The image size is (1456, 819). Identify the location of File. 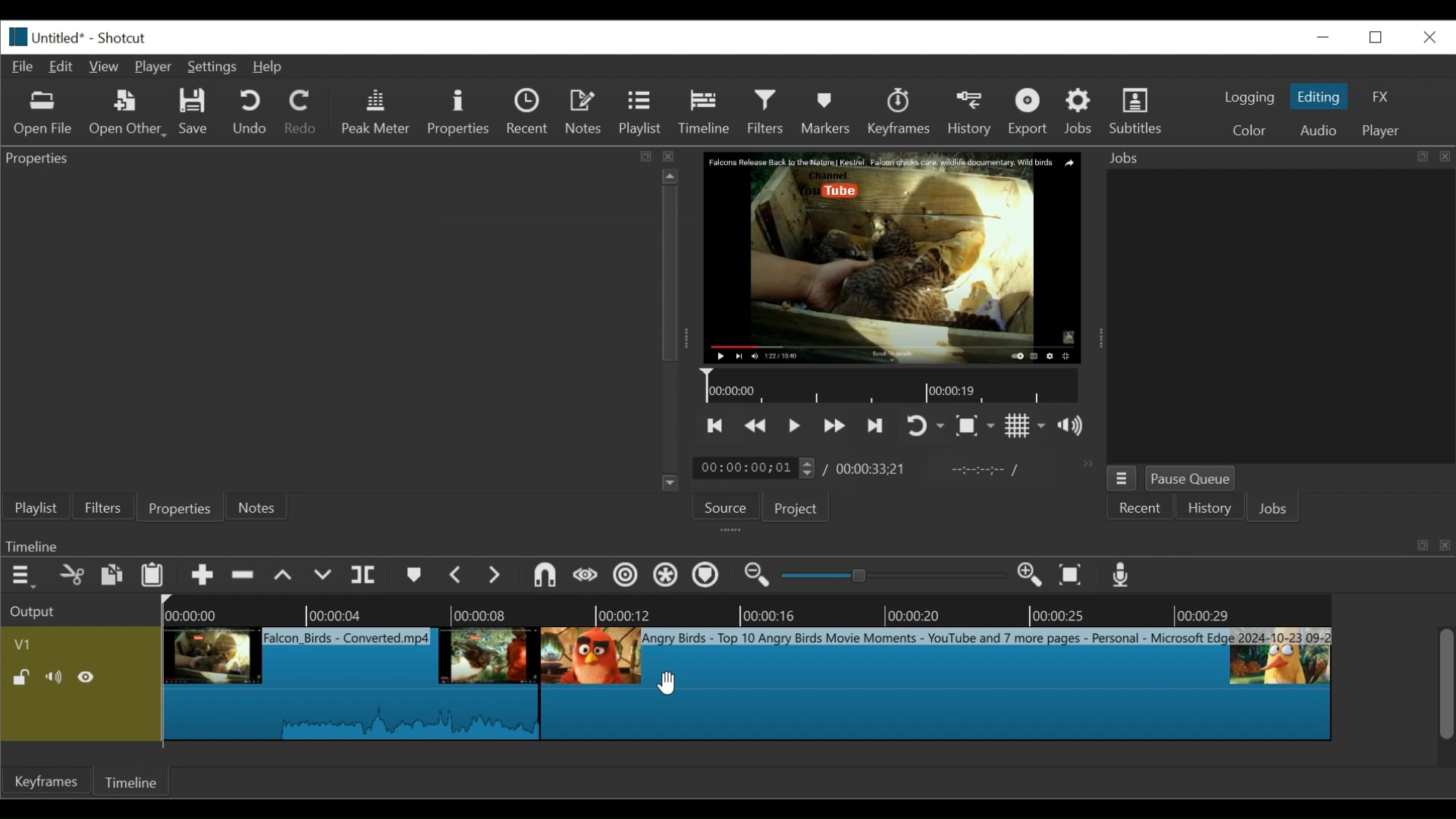
(24, 67).